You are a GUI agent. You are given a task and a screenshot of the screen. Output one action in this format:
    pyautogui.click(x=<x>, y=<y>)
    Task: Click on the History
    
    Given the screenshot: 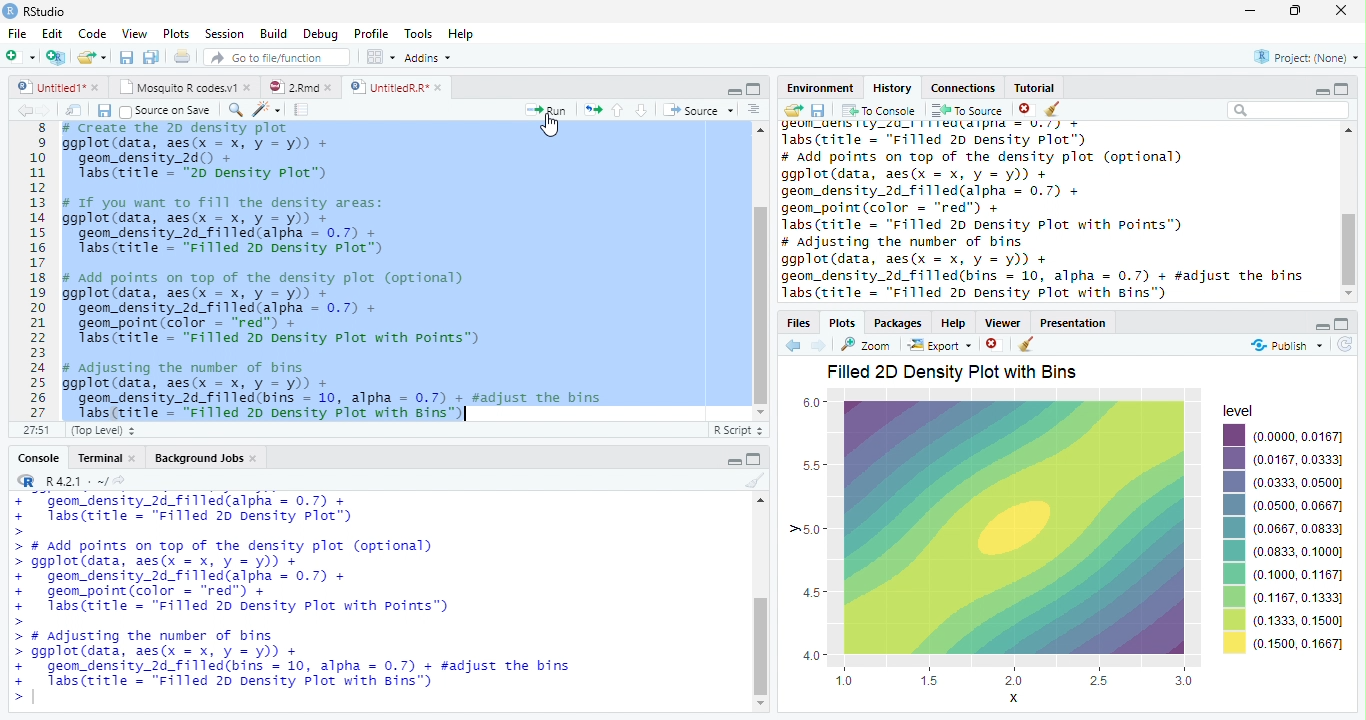 What is the action you would take?
    pyautogui.click(x=892, y=88)
    